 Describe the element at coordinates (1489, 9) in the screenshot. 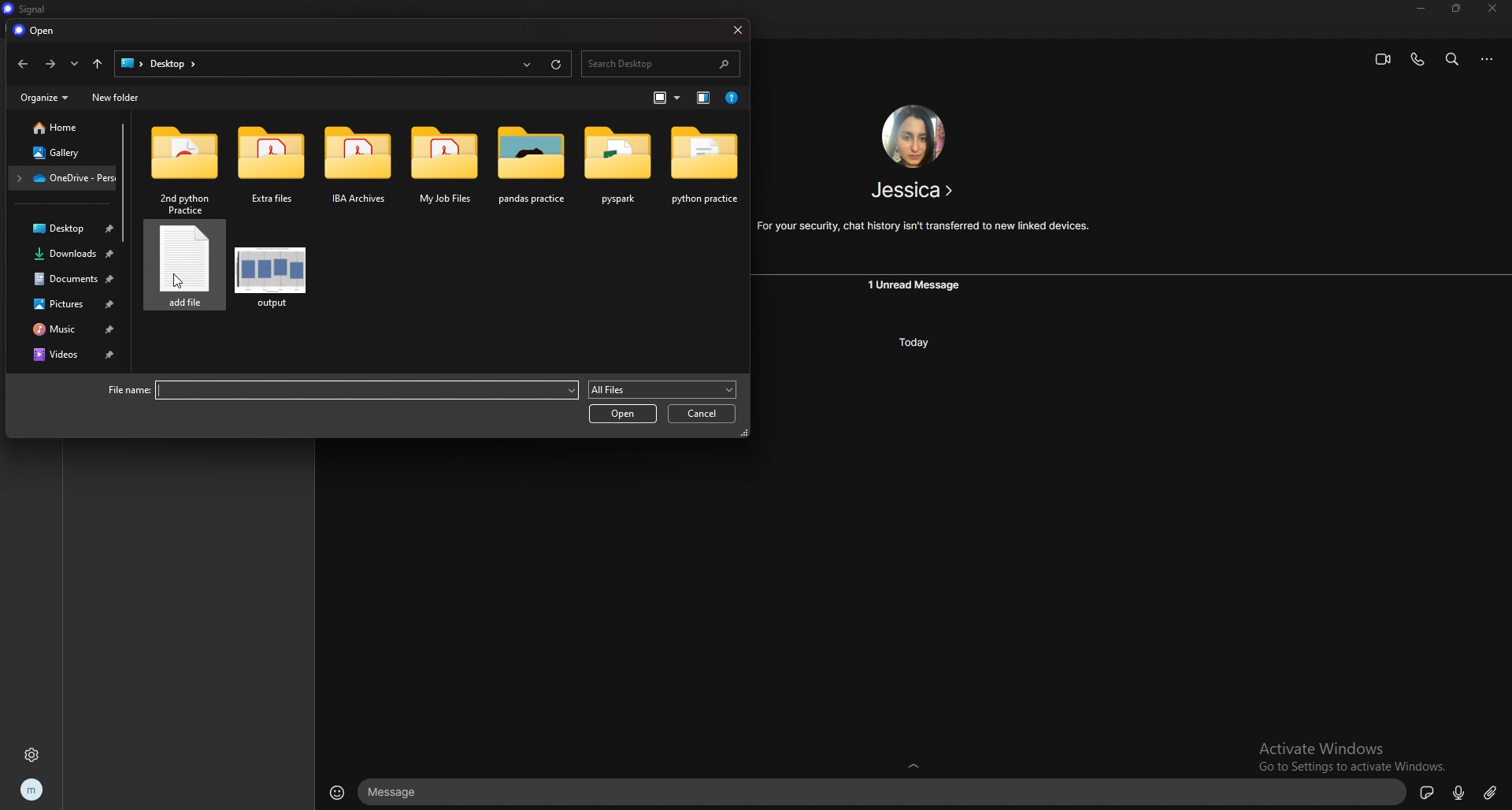

I see `close` at that location.